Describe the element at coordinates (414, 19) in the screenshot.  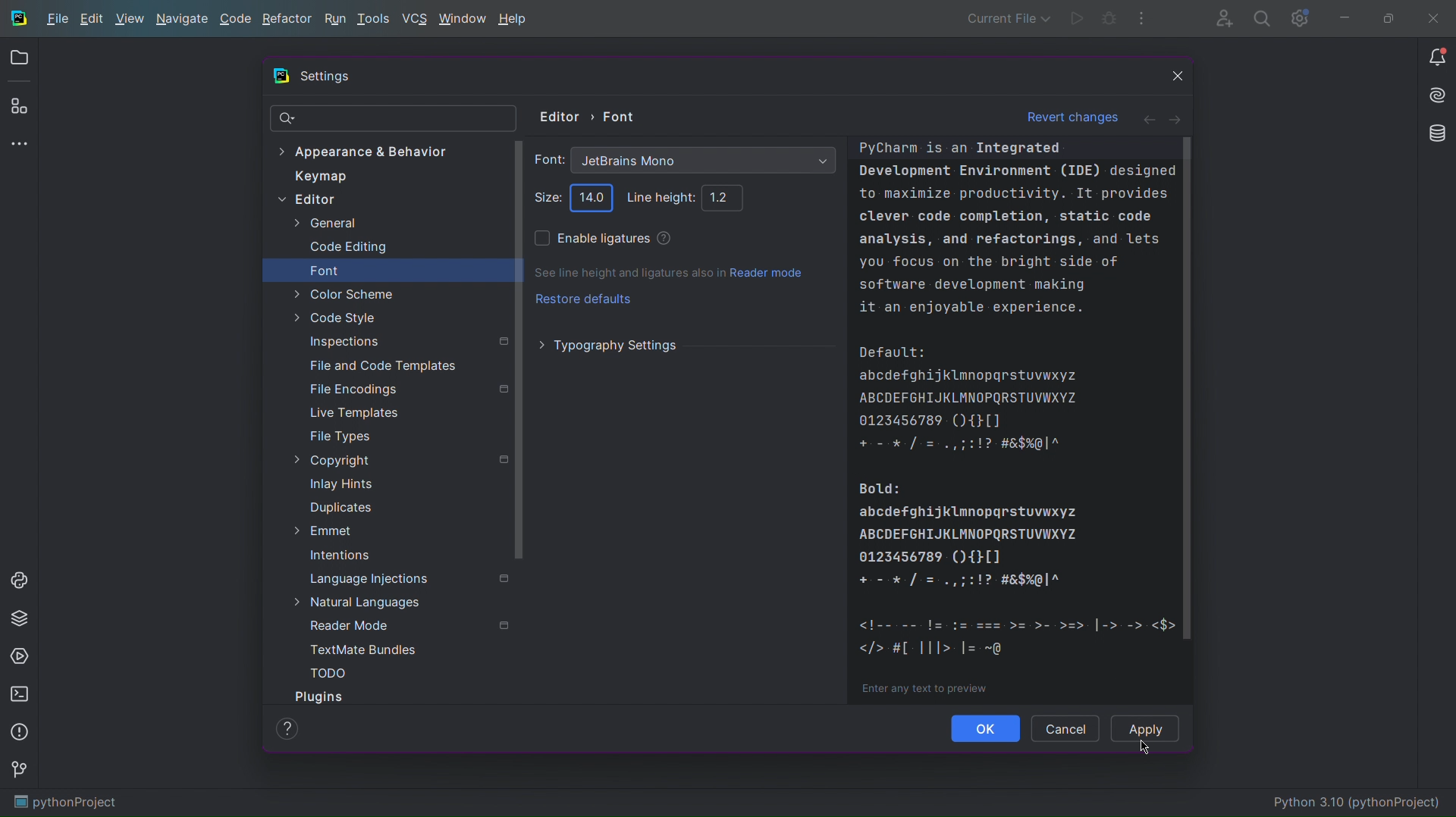
I see `VCS` at that location.